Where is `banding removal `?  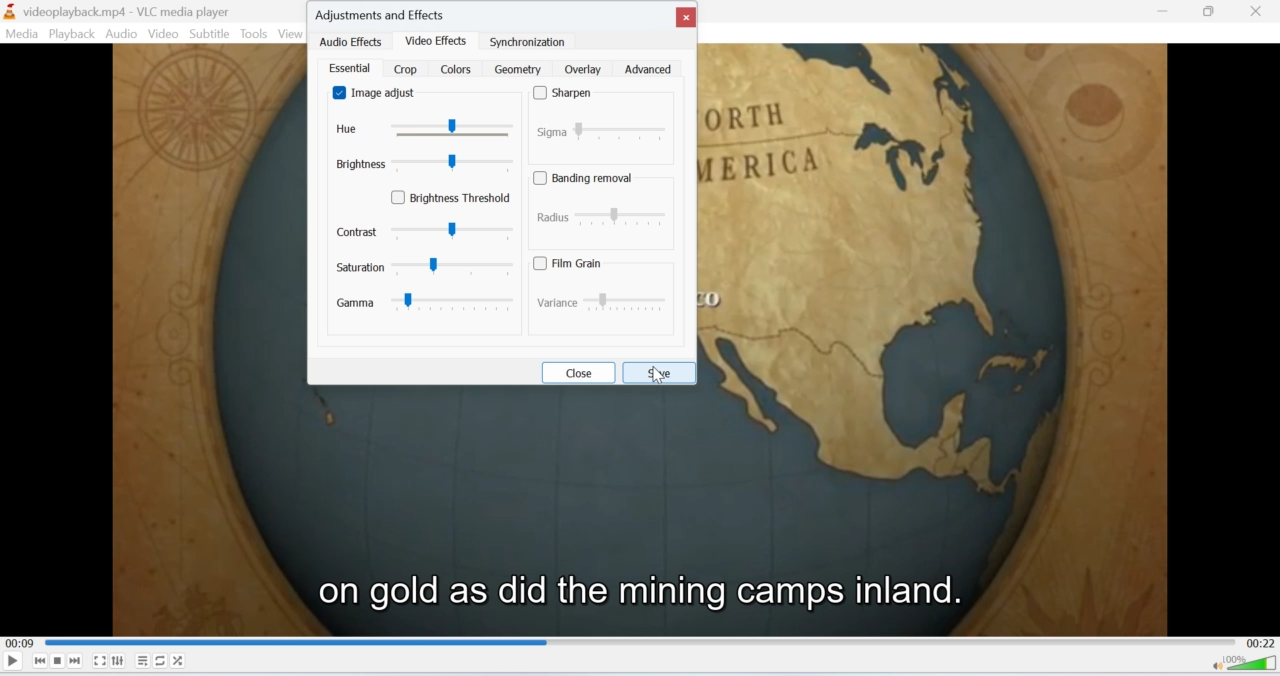
banding removal  is located at coordinates (587, 178).